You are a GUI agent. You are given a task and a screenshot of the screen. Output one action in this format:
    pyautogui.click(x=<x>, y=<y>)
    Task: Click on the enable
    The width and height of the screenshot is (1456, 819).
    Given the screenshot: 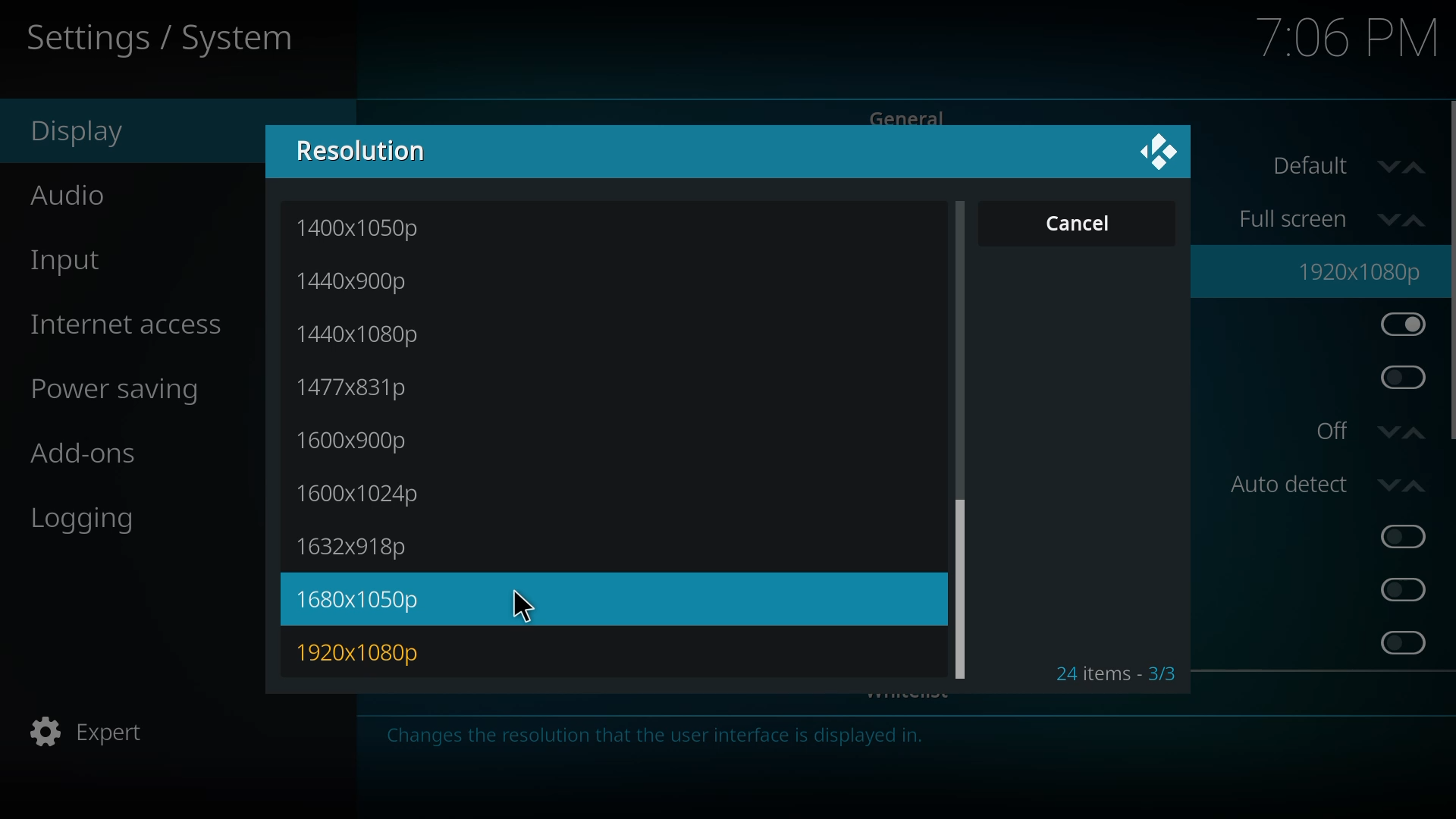 What is the action you would take?
    pyautogui.click(x=1403, y=588)
    